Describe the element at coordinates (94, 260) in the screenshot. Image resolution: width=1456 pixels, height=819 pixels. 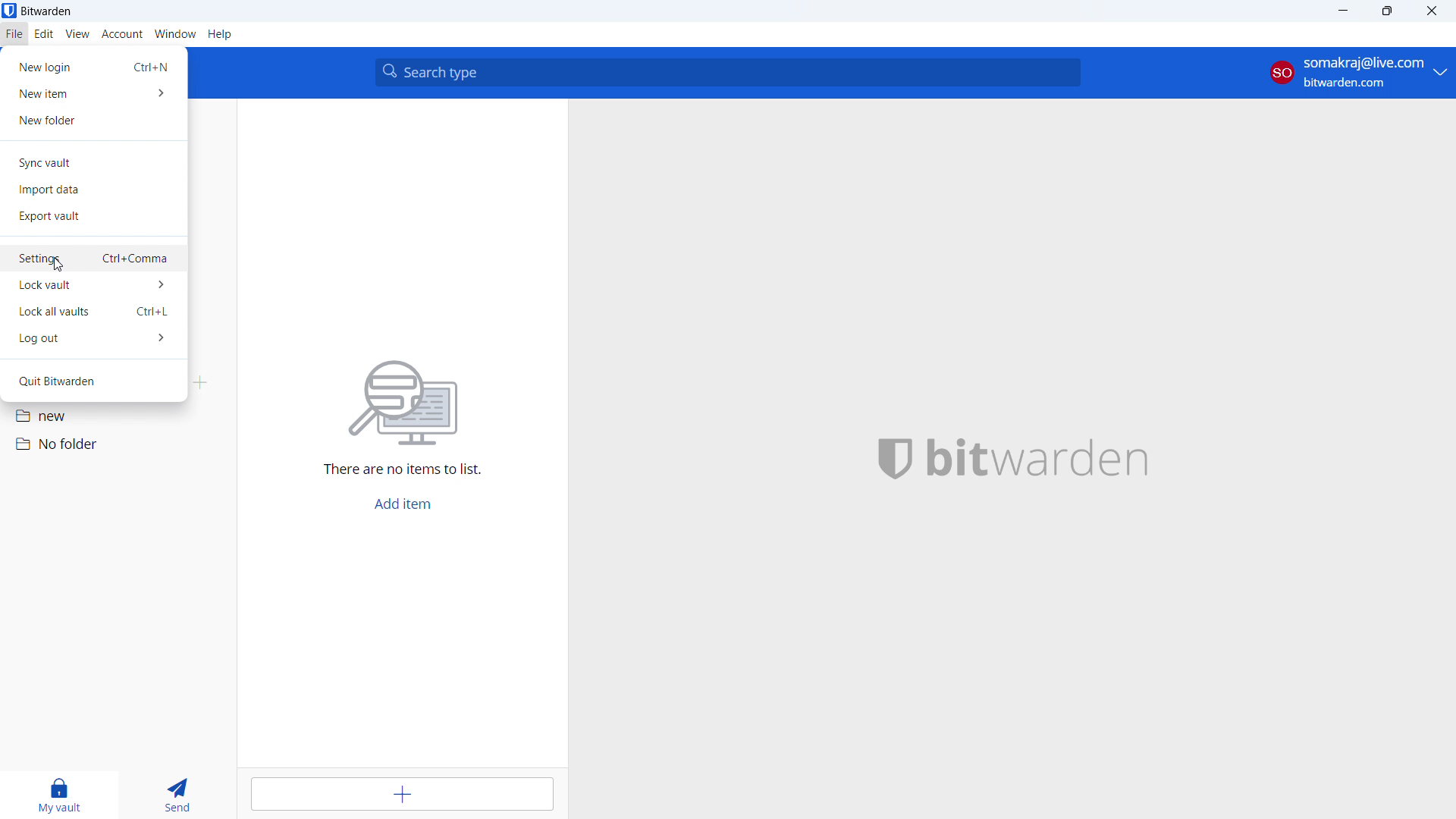
I see `settings` at that location.